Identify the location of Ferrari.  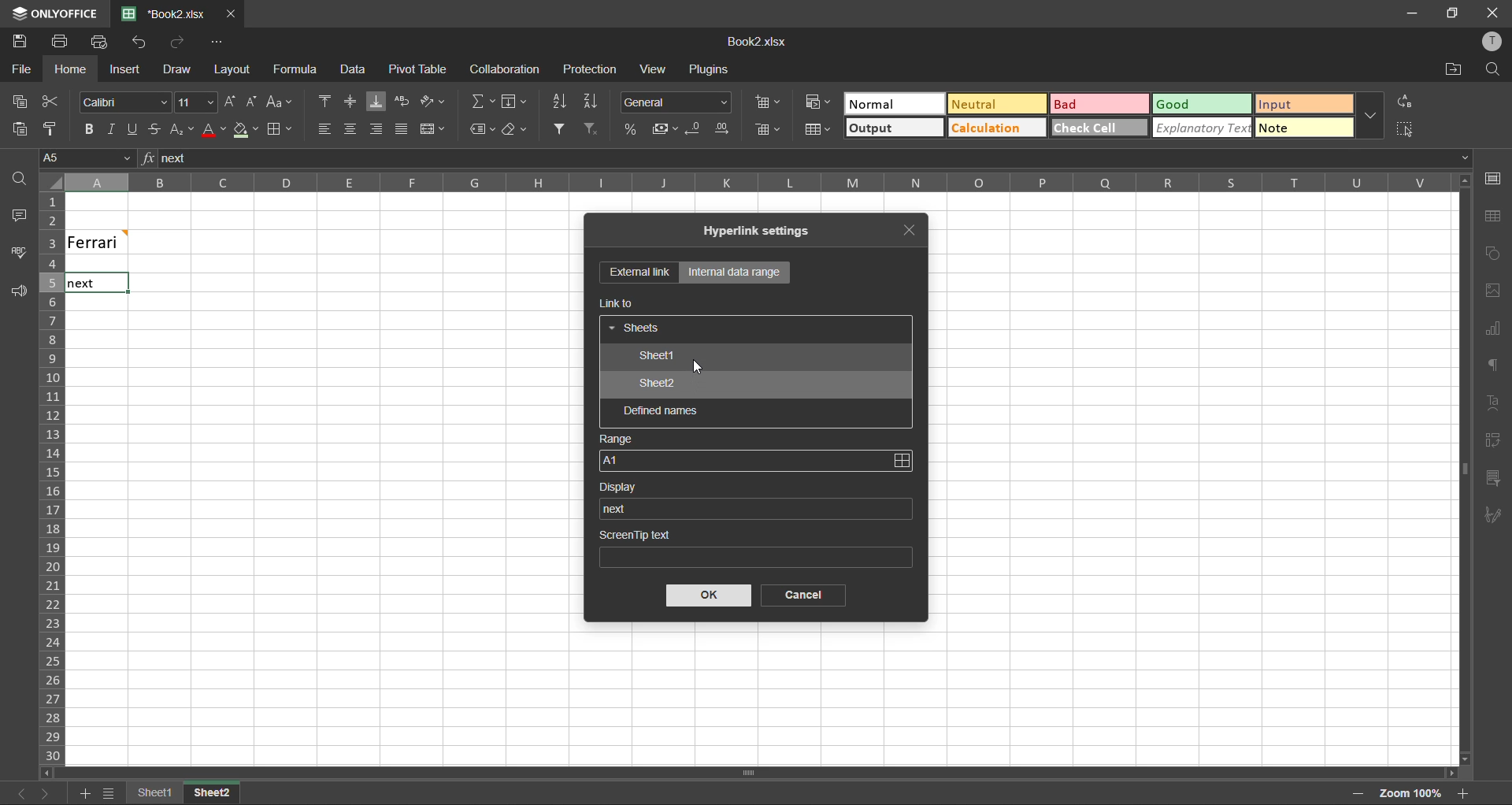
(120, 241).